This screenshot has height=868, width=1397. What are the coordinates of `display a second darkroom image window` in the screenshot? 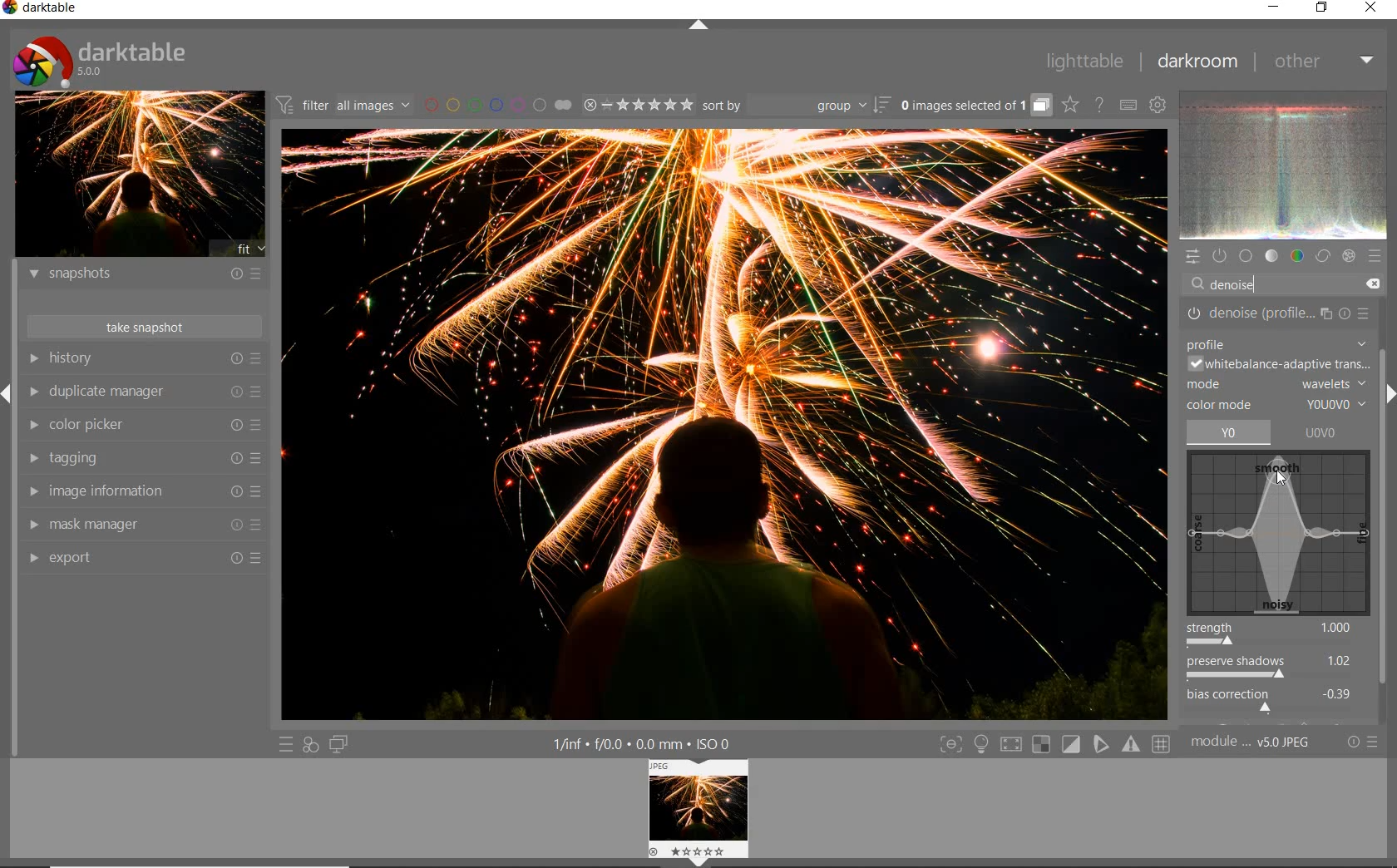 It's located at (341, 745).